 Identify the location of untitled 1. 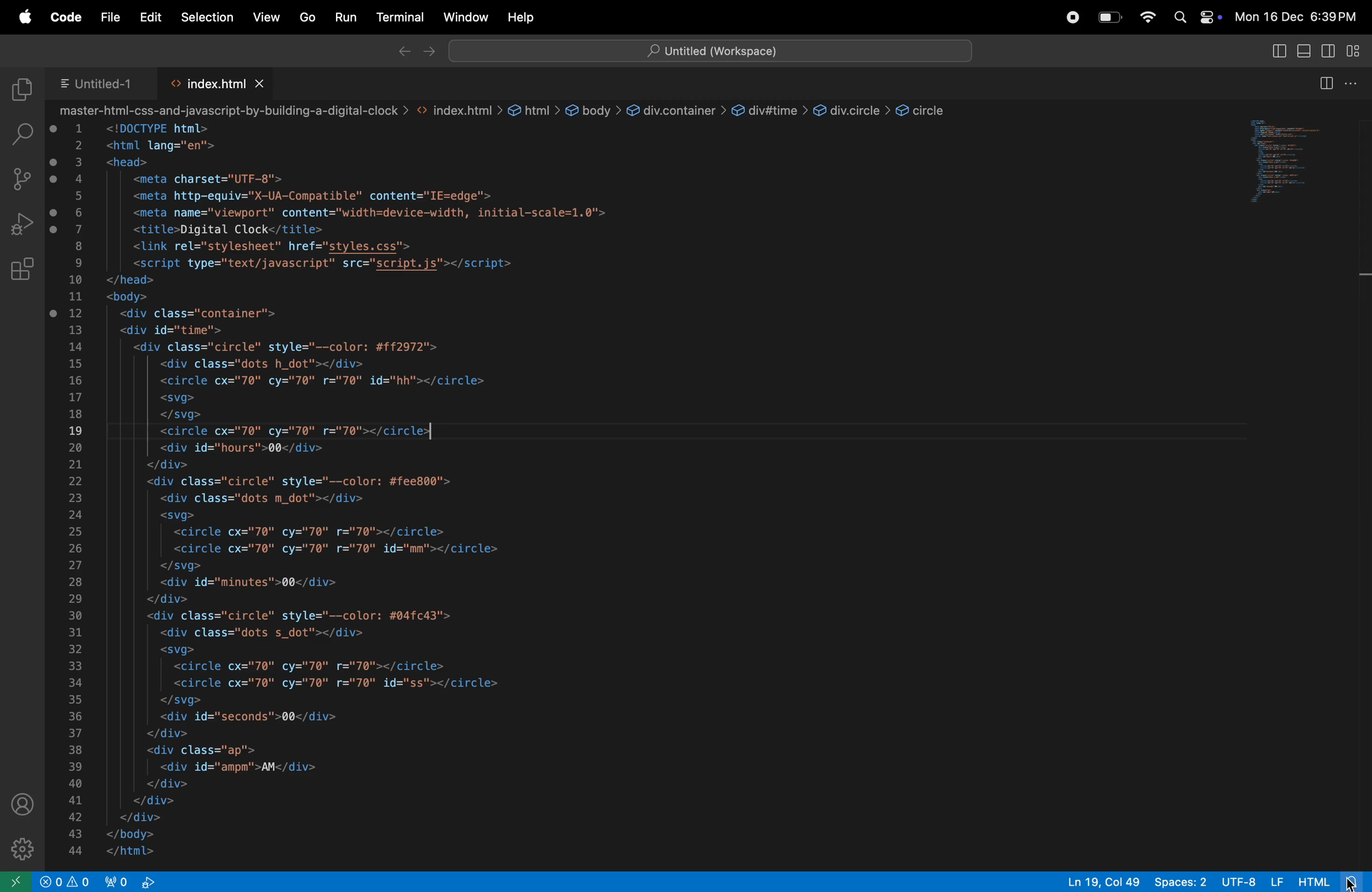
(100, 84).